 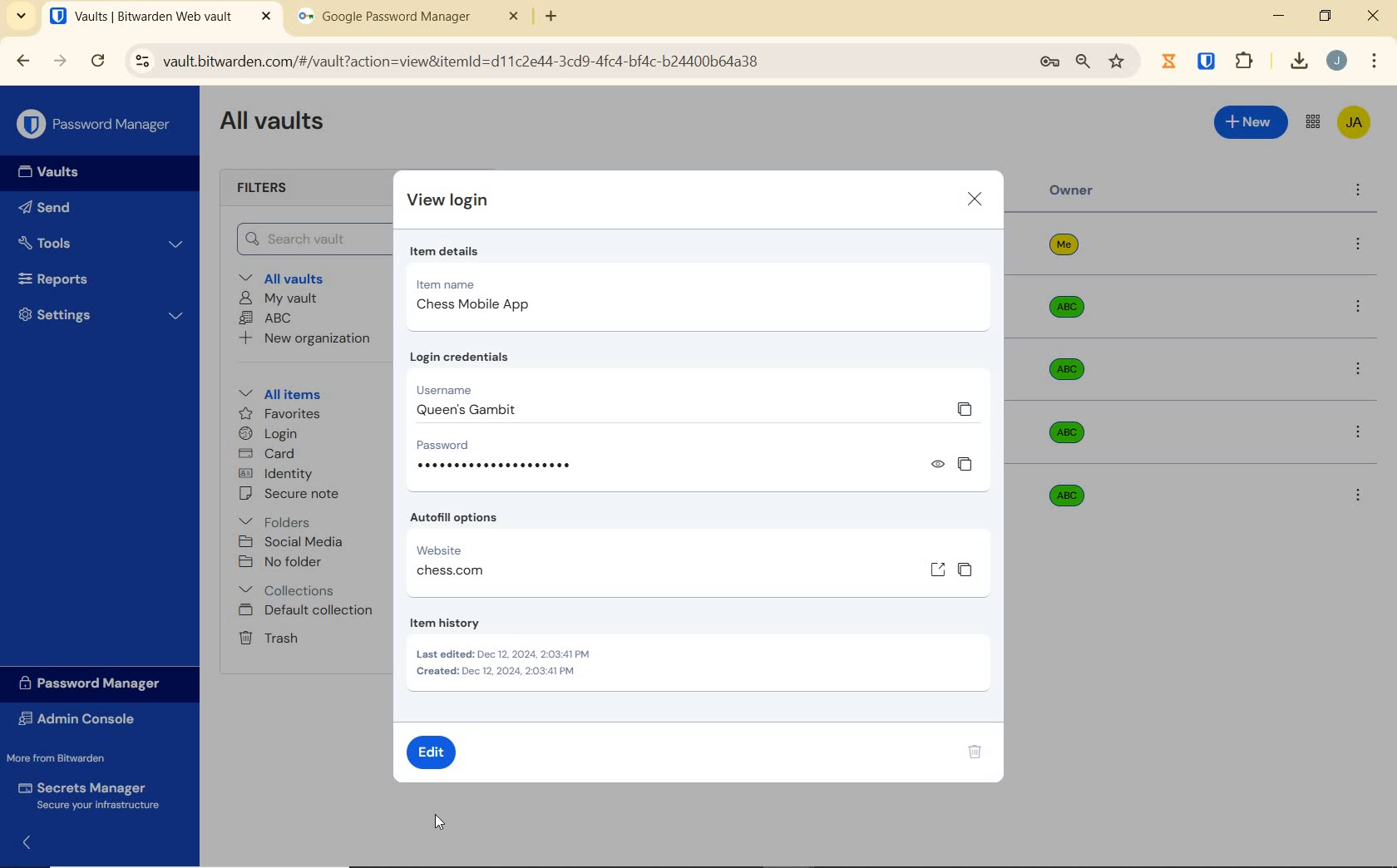 I want to click on view login, so click(x=452, y=203).